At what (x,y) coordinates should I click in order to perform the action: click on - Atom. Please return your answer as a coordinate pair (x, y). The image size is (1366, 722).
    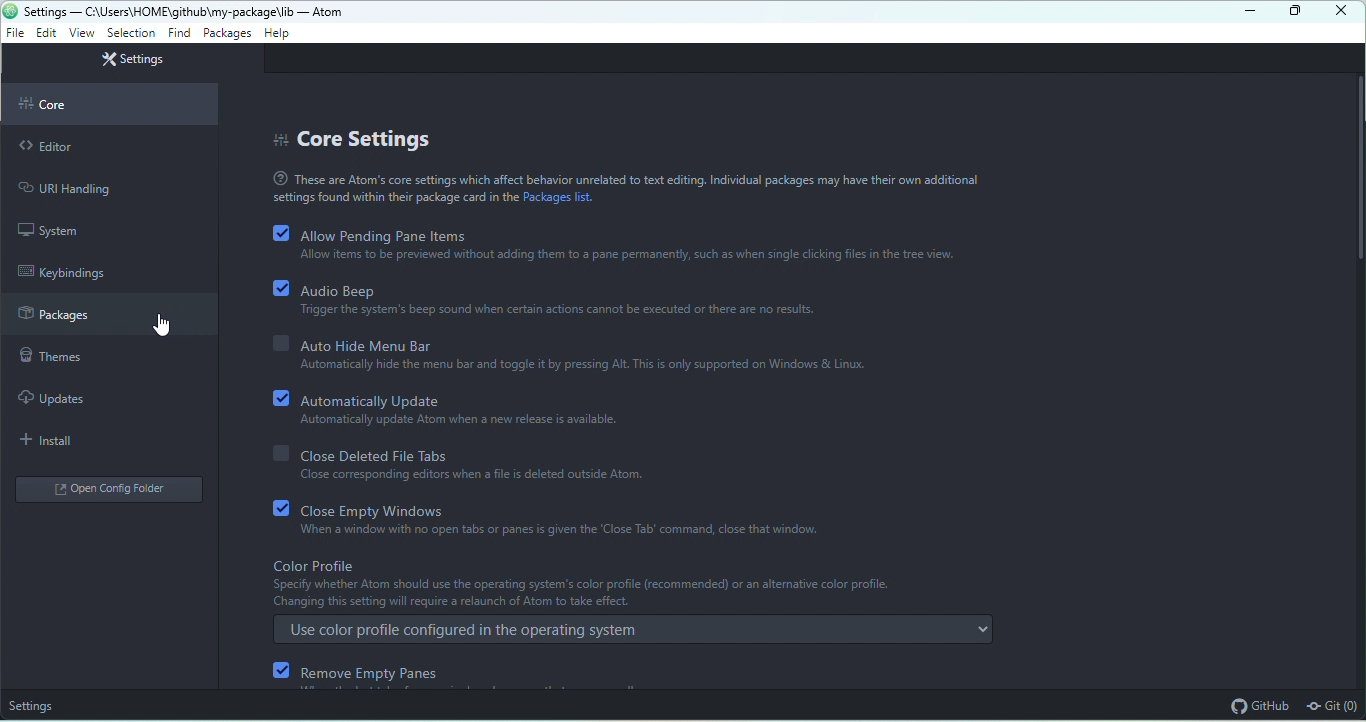
    Looking at the image, I should click on (319, 12).